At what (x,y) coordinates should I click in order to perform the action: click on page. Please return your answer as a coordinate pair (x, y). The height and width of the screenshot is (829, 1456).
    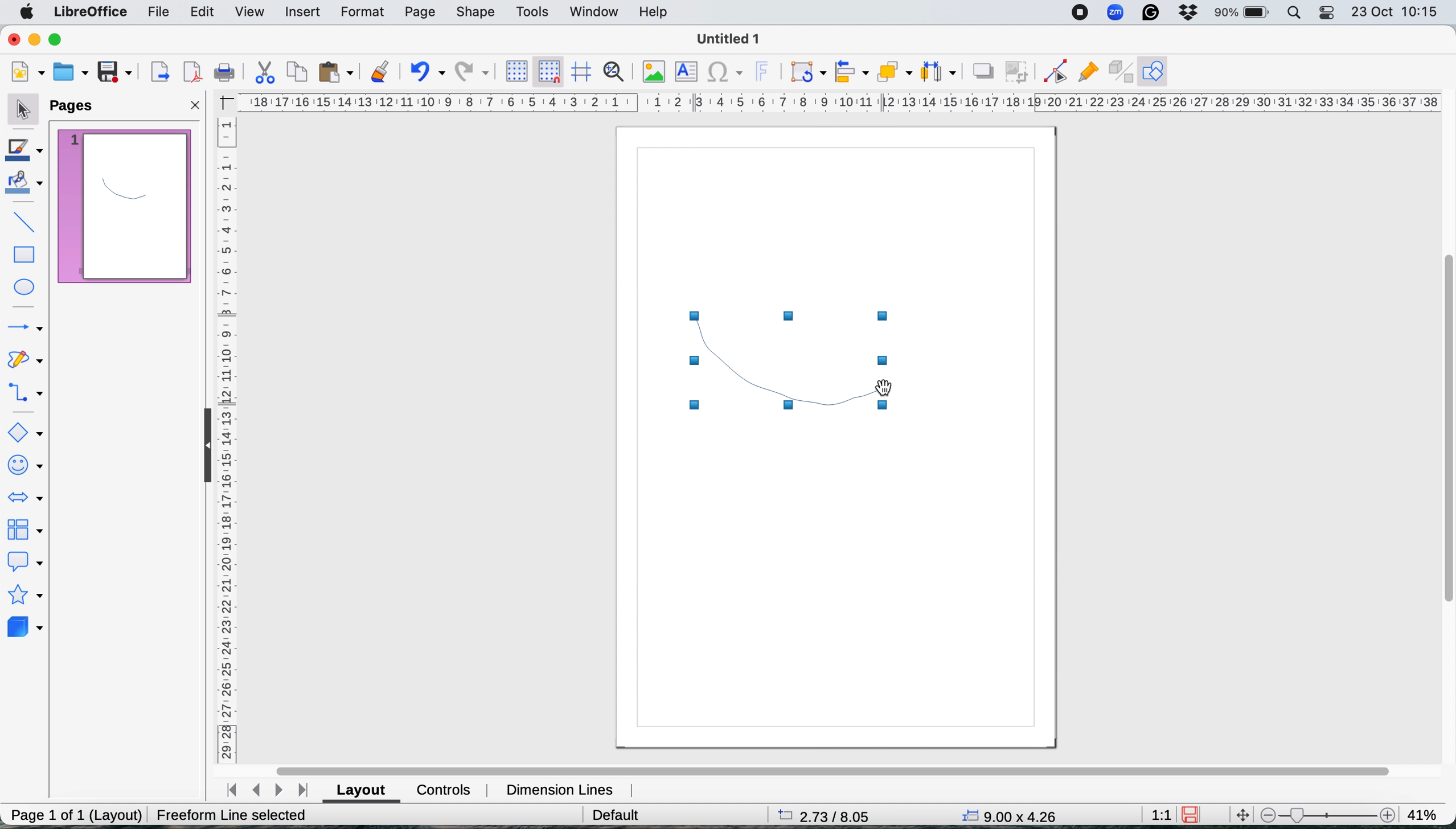
    Looking at the image, I should click on (421, 13).